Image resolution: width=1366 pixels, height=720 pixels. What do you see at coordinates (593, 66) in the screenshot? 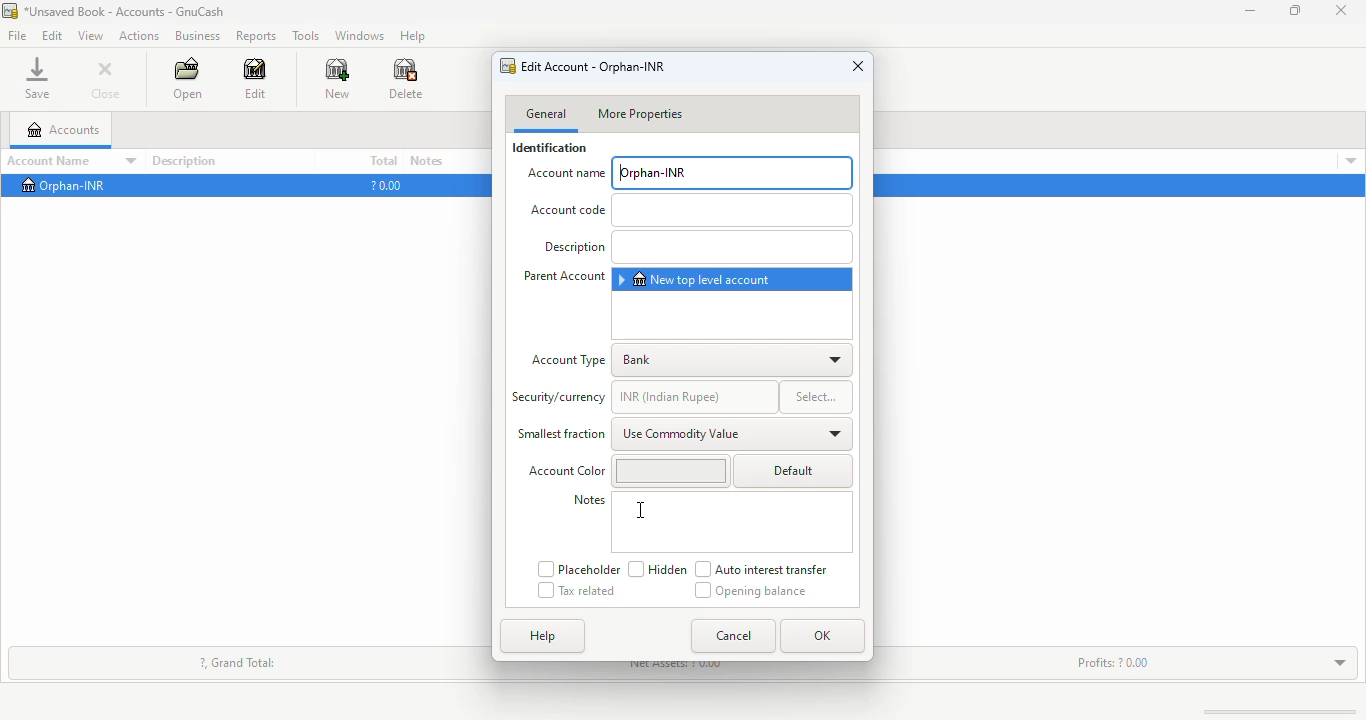
I see `edit account - orphan-INR` at bounding box center [593, 66].